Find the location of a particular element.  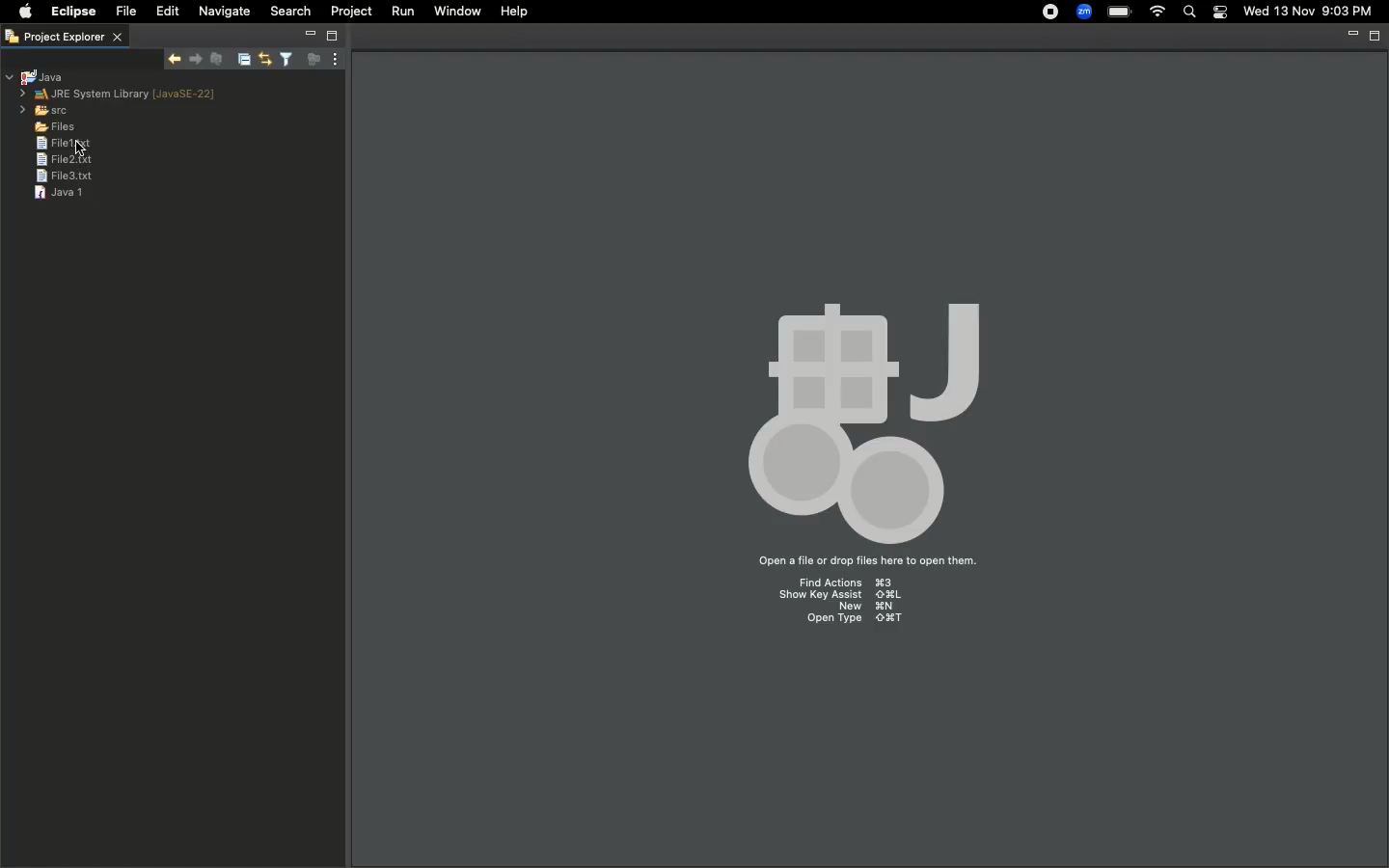

Show key assist is located at coordinates (840, 596).